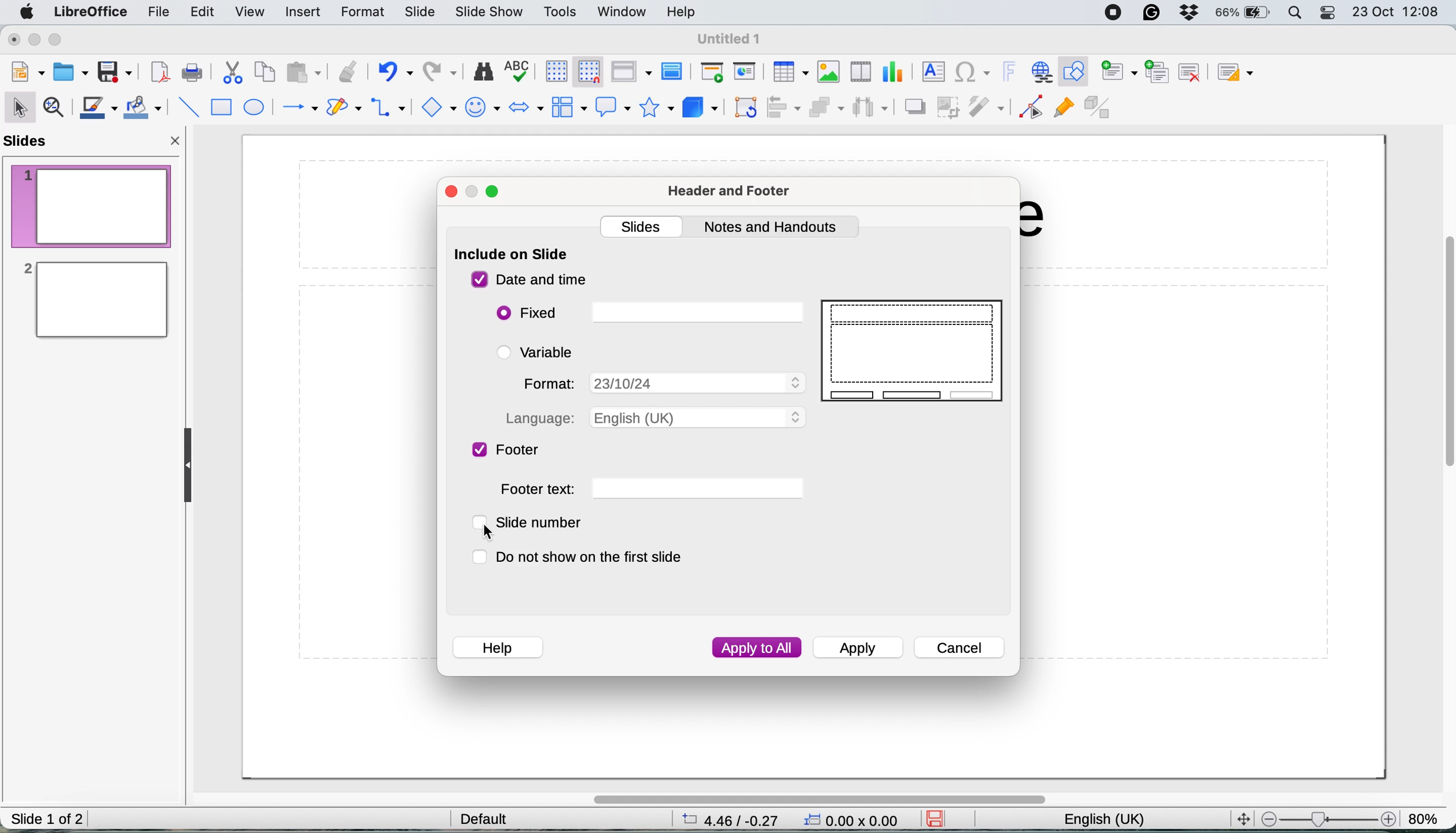 Image resolution: width=1456 pixels, height=833 pixels. What do you see at coordinates (757, 648) in the screenshot?
I see `apply to all` at bounding box center [757, 648].